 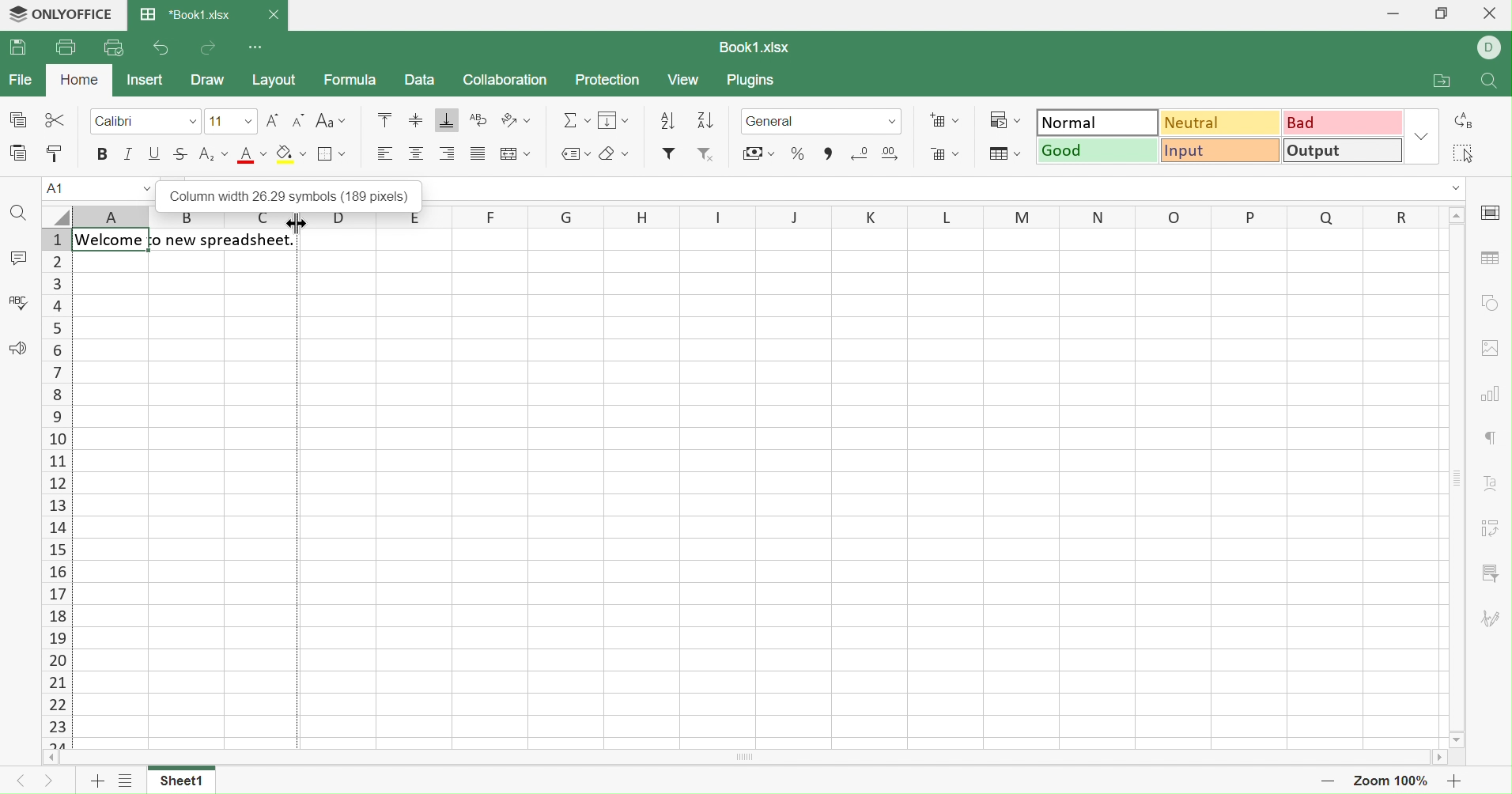 What do you see at coordinates (1423, 135) in the screenshot?
I see `Drop Down` at bounding box center [1423, 135].